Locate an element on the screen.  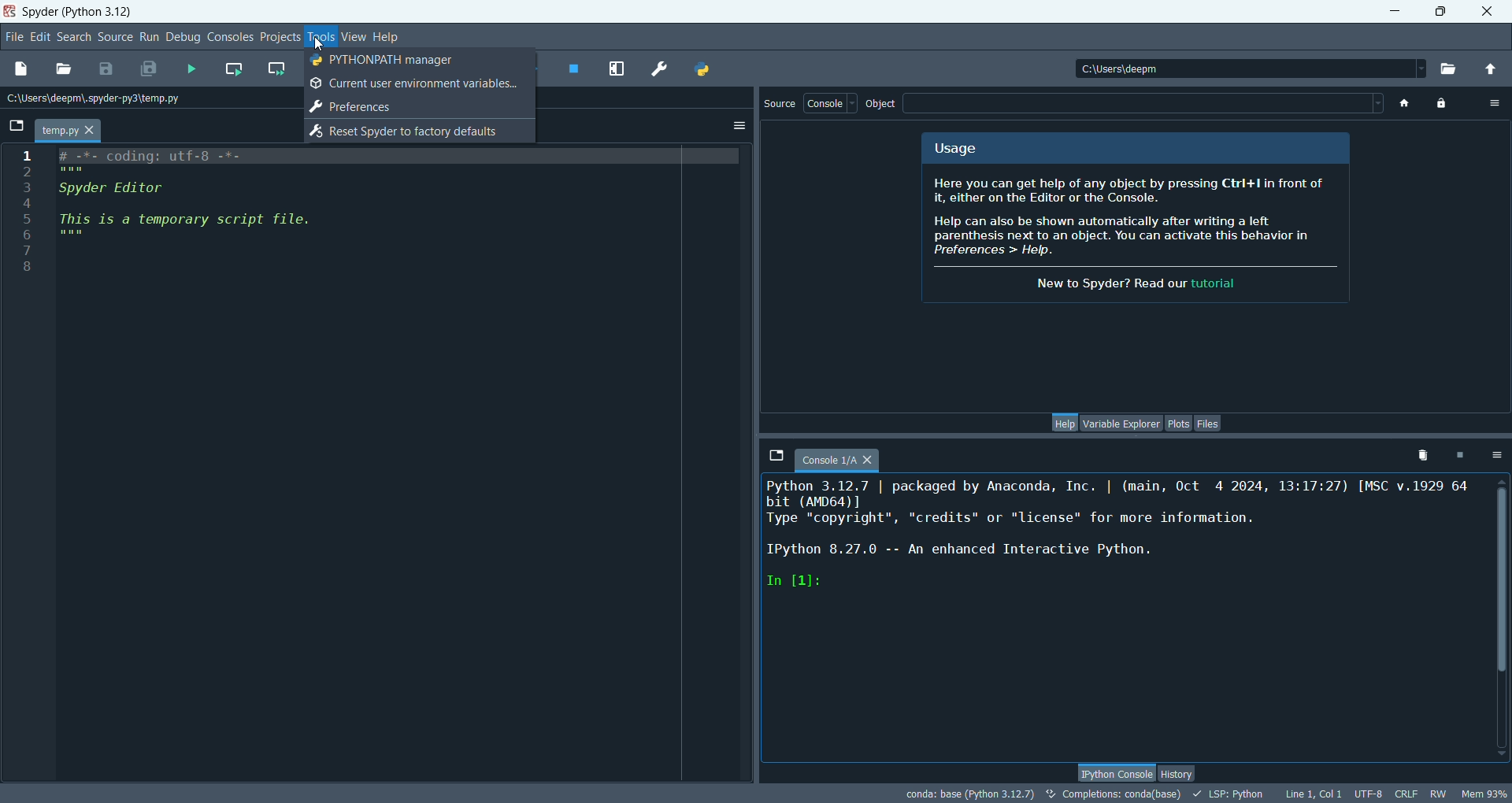
maximize current pane is located at coordinates (617, 68).